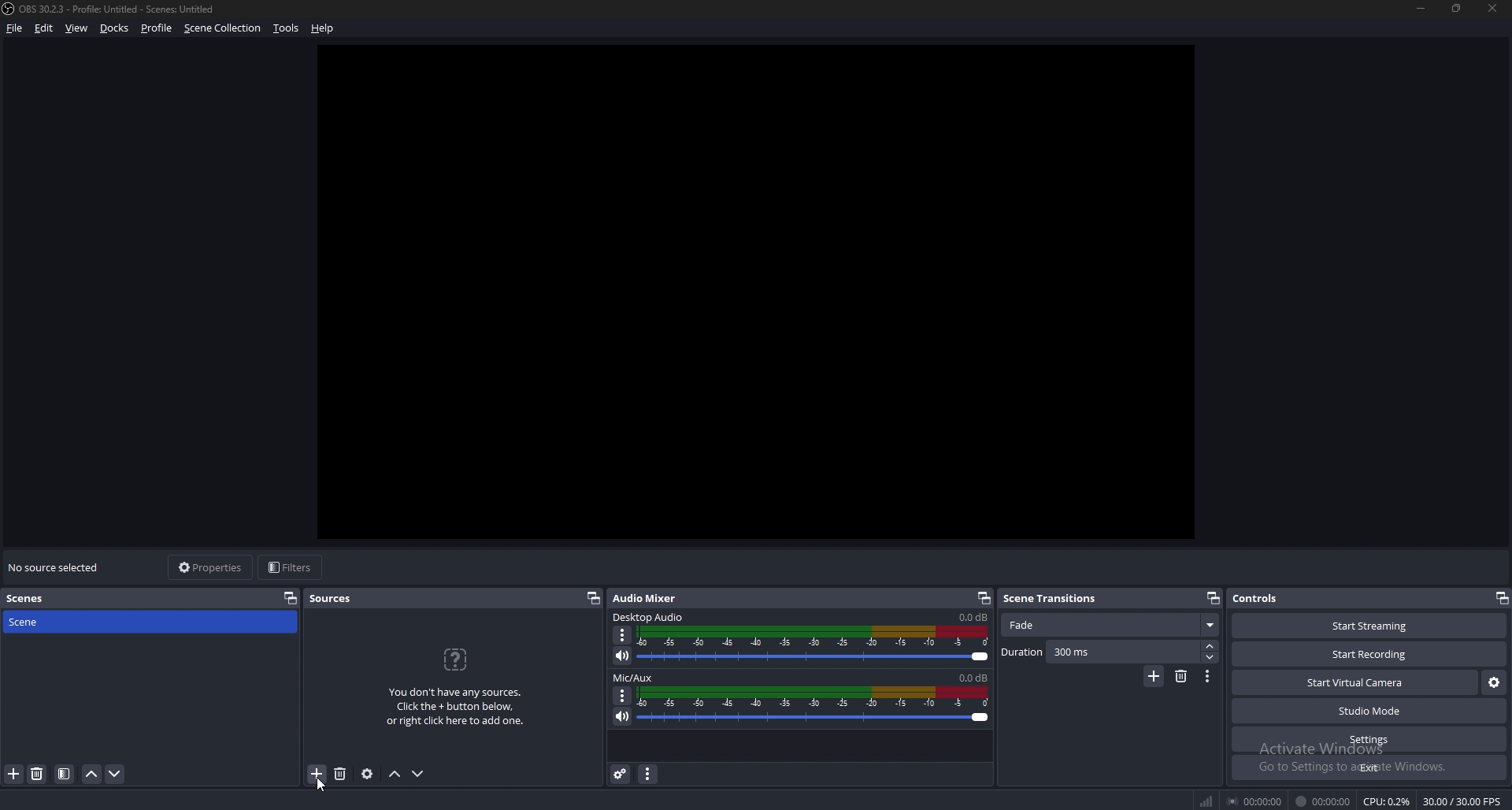 The height and width of the screenshot is (810, 1512). I want to click on Pop out, so click(1214, 599).